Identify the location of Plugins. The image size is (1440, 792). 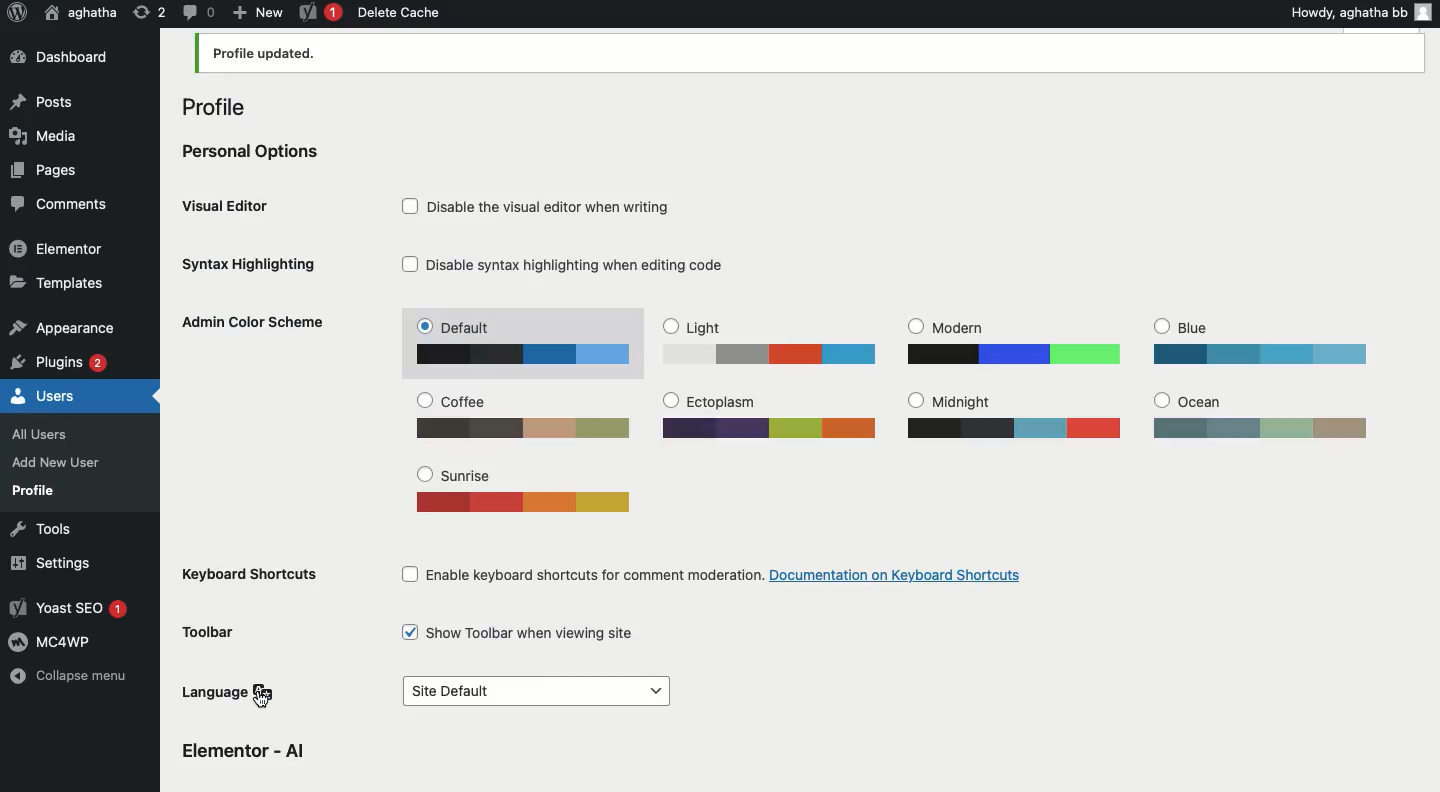
(61, 360).